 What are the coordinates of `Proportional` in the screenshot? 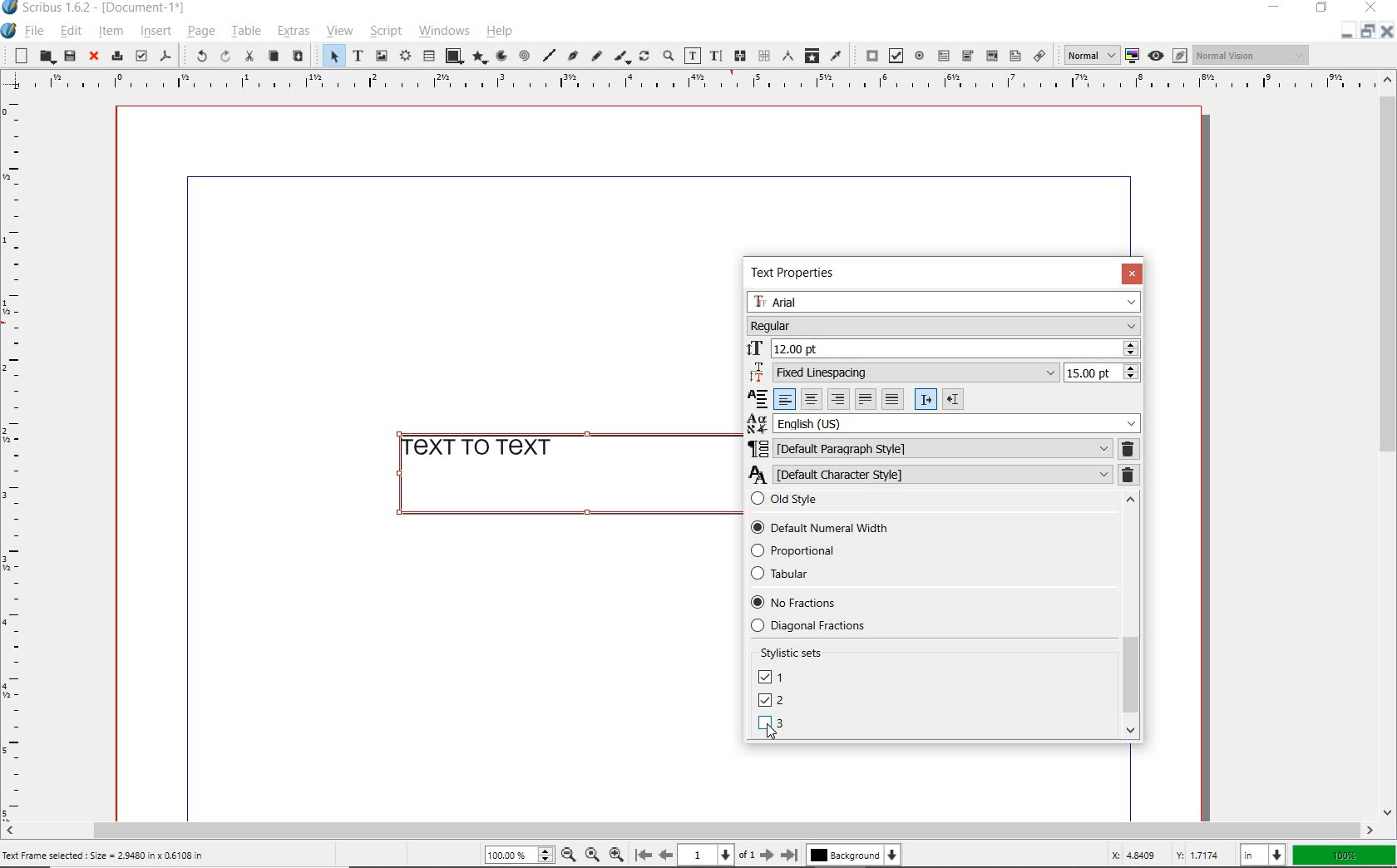 It's located at (837, 550).